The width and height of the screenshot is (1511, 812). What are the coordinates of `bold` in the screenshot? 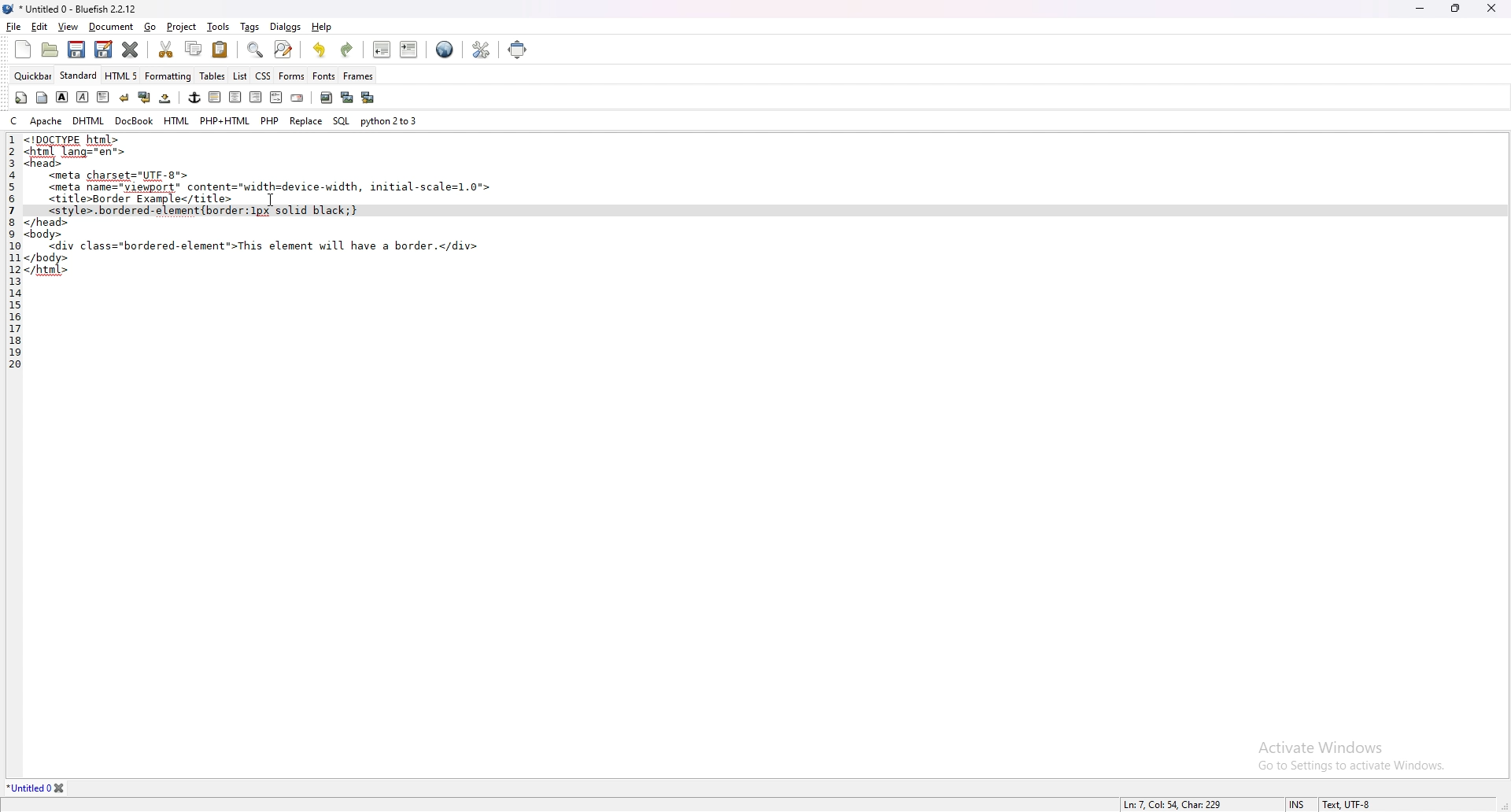 It's located at (61, 98).